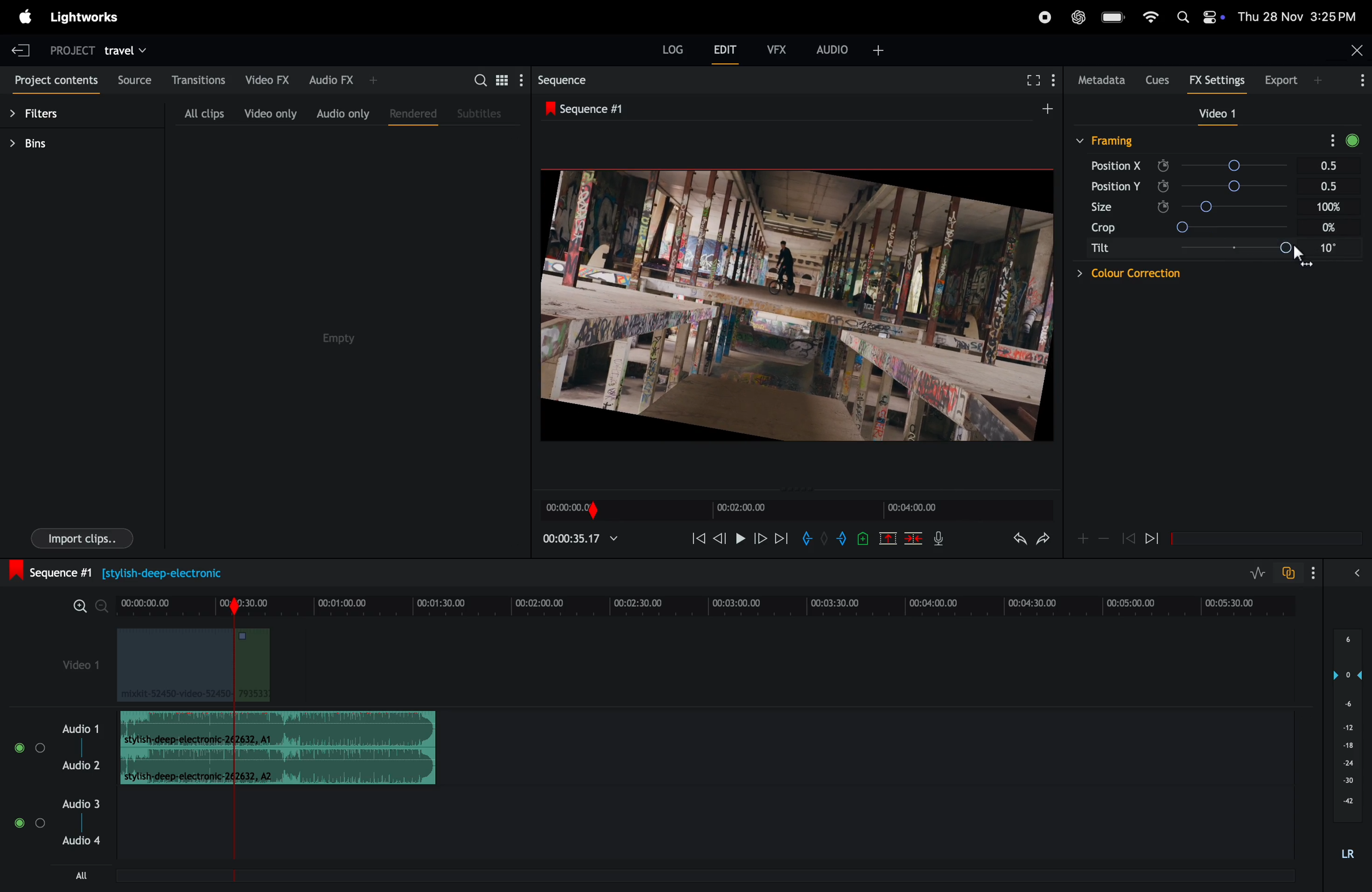 Image resolution: width=1372 pixels, height=892 pixels. What do you see at coordinates (1046, 539) in the screenshot?
I see `redo` at bounding box center [1046, 539].